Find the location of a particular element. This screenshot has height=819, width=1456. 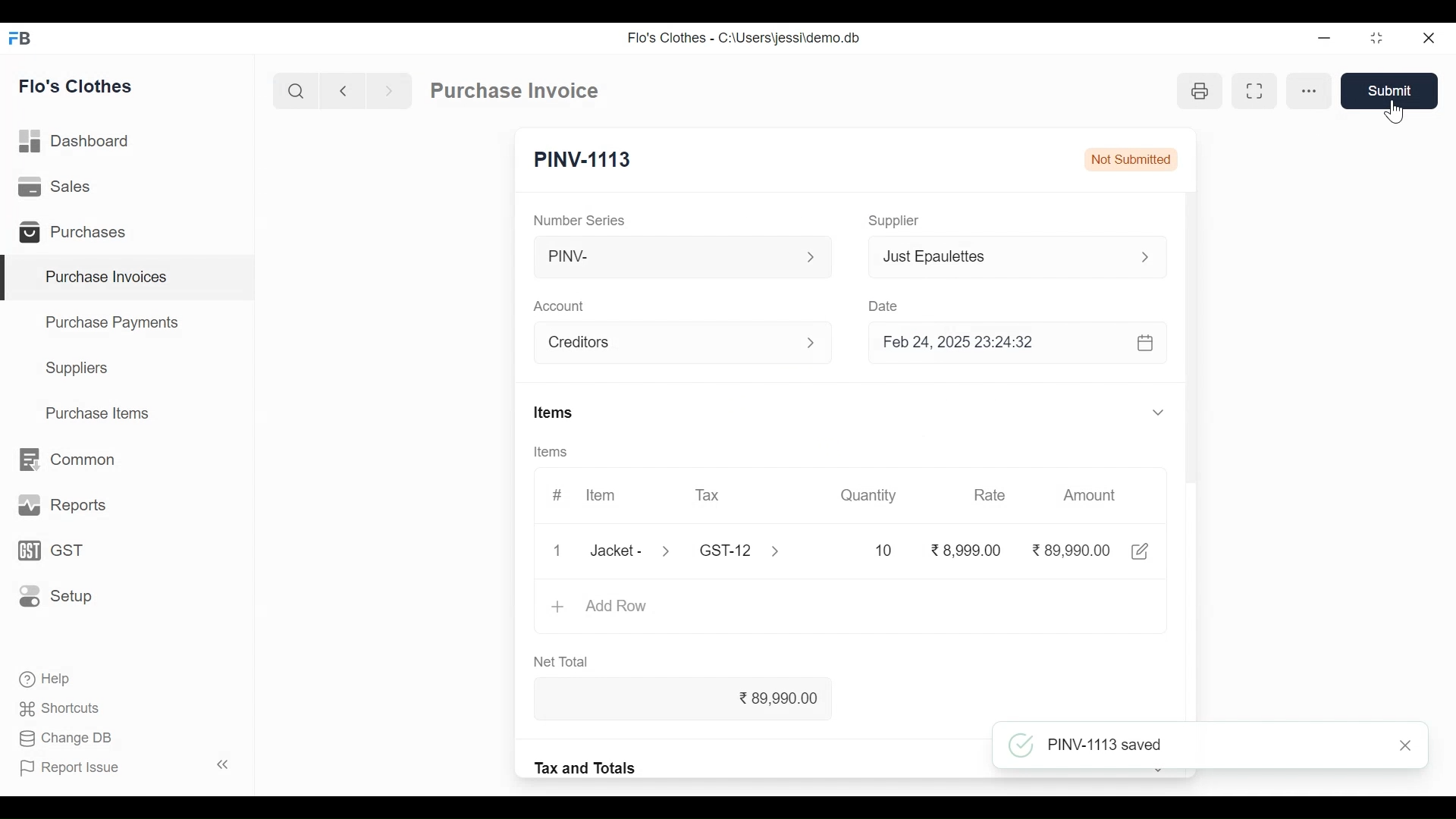

Sales is located at coordinates (61, 188).